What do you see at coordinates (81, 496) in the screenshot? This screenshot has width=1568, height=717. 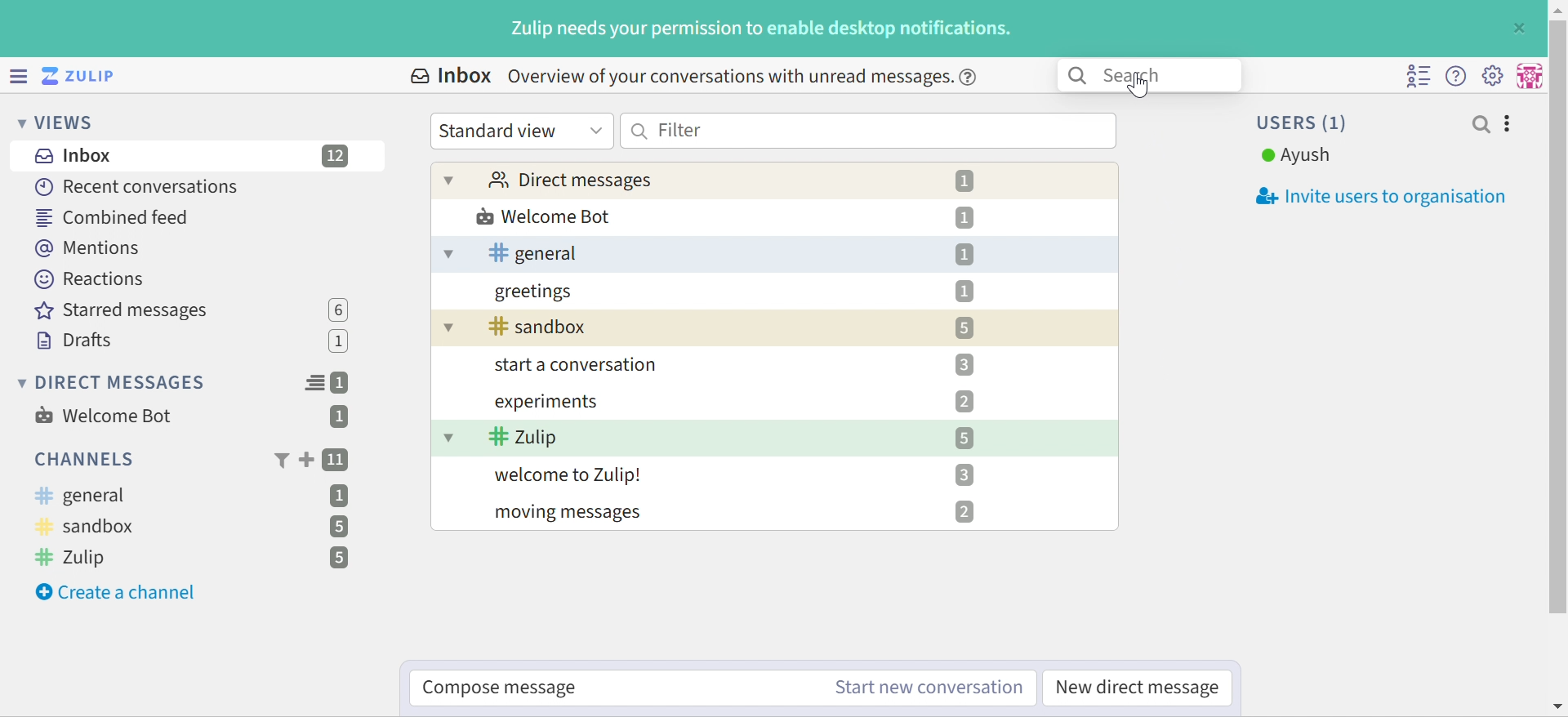 I see `#general` at bounding box center [81, 496].